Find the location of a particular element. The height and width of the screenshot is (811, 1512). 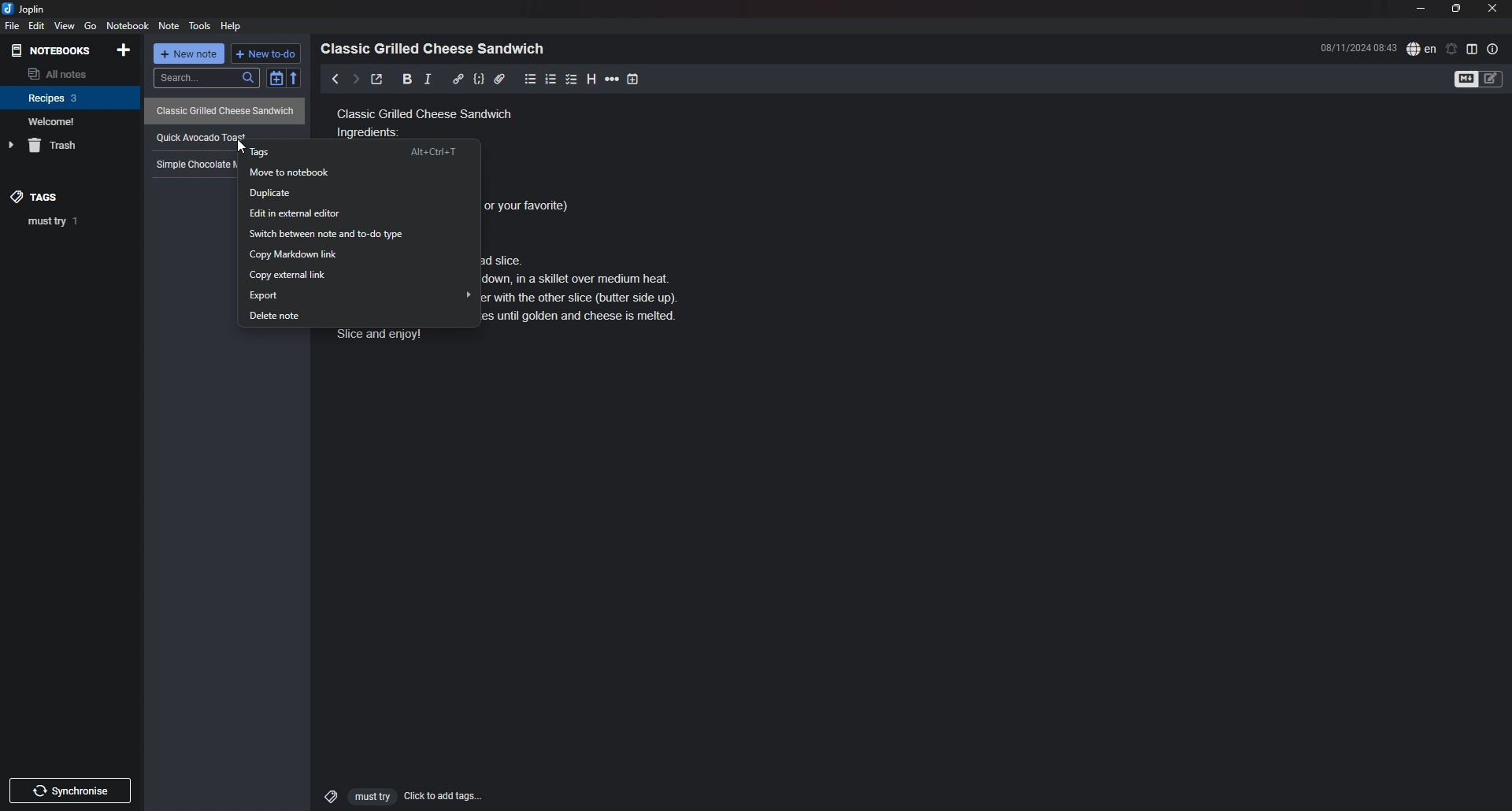

click to add tags is located at coordinates (396, 795).